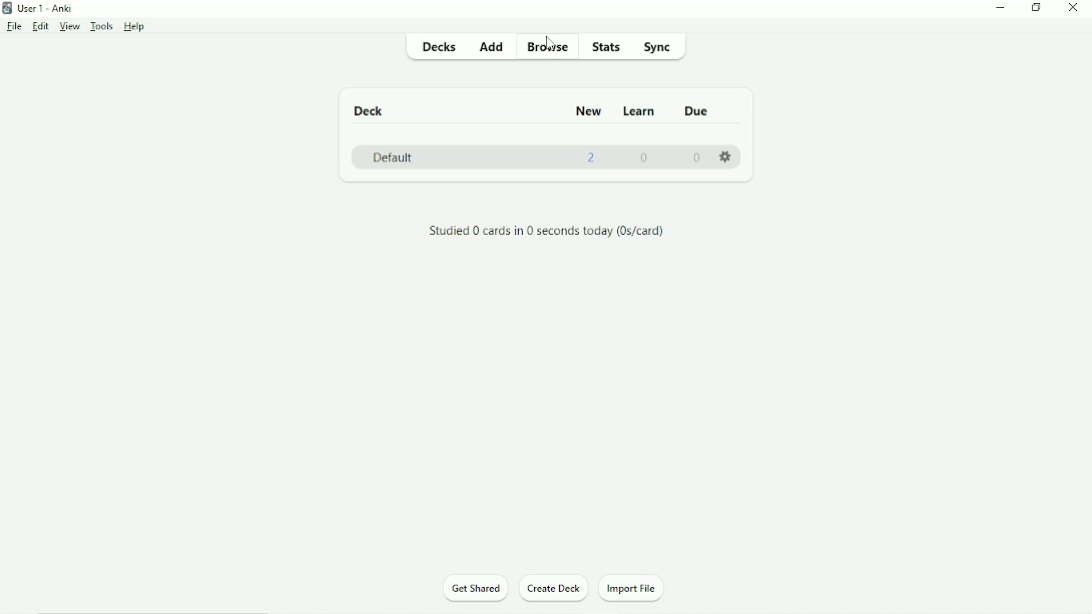 This screenshot has height=614, width=1092. I want to click on Restore down, so click(1037, 8).